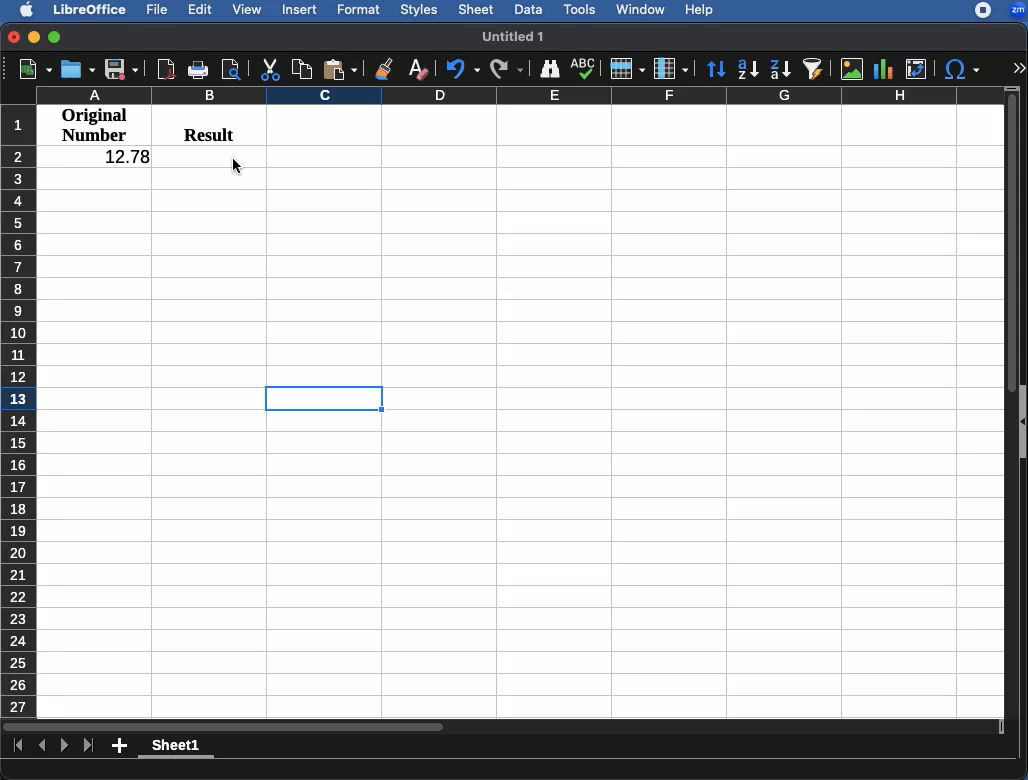  I want to click on Maximize, so click(56, 39).